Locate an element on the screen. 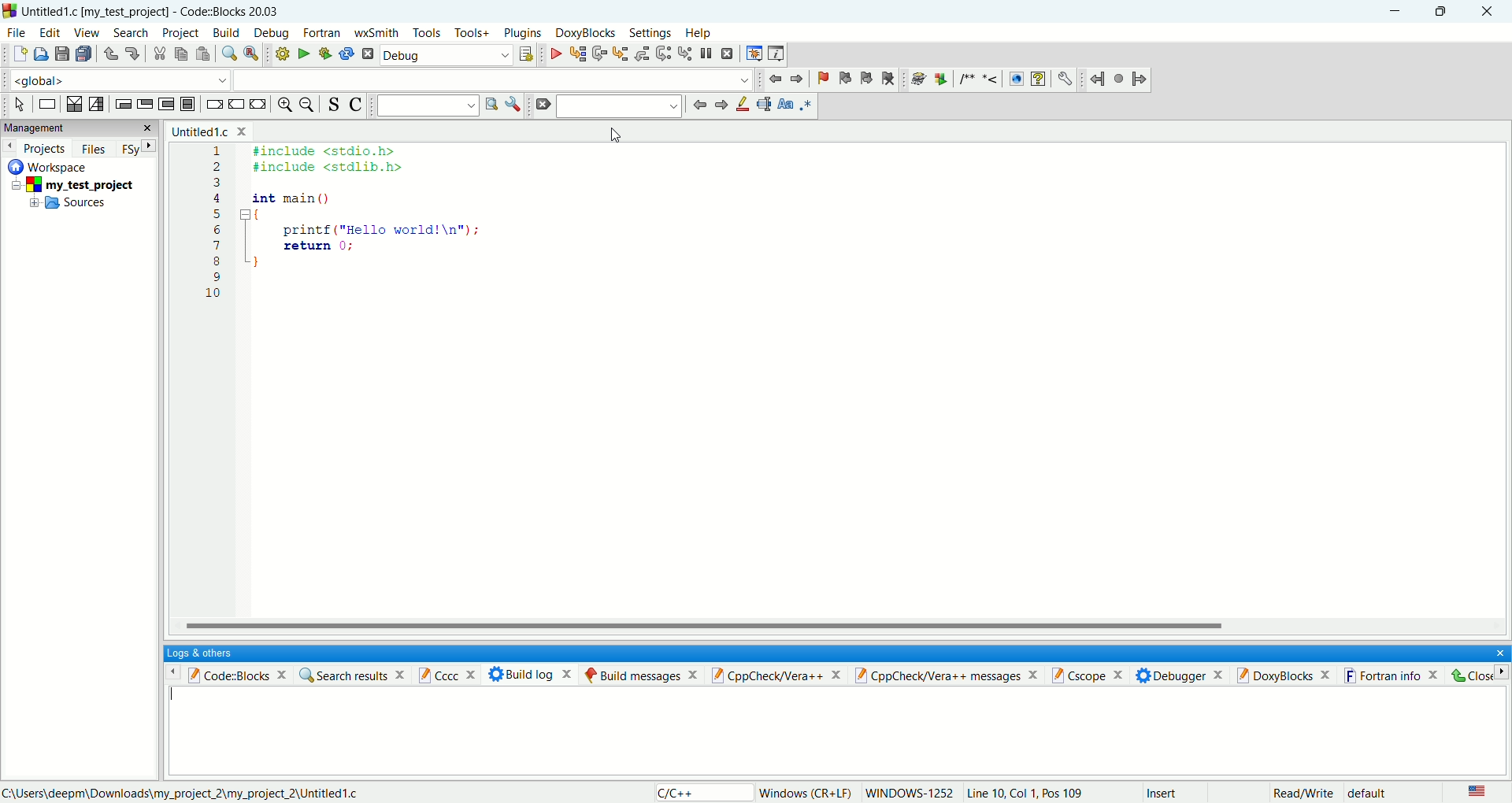 This screenshot has height=803, width=1512. view is located at coordinates (83, 31).